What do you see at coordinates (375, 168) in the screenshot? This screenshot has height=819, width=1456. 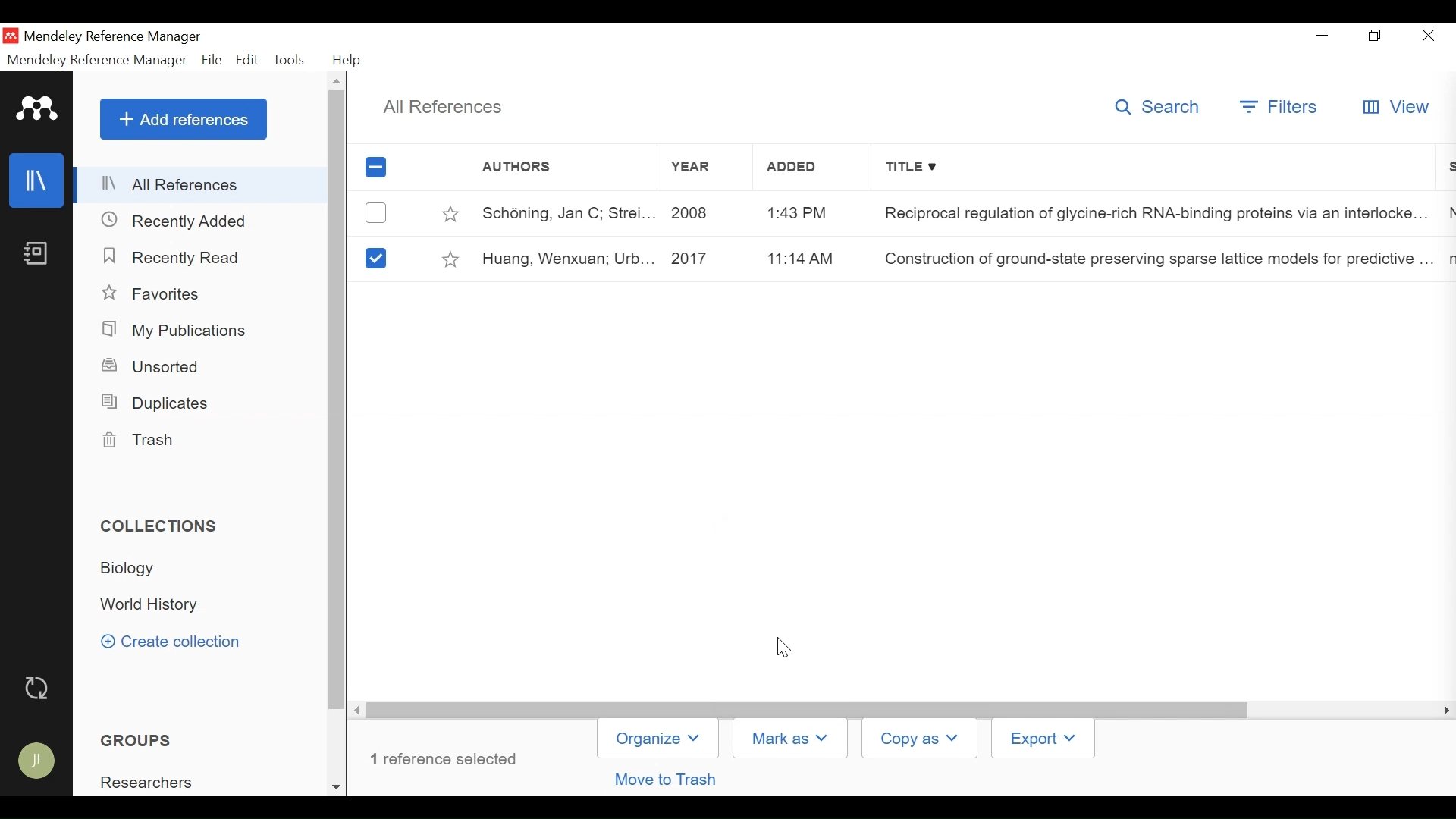 I see `(un)select` at bounding box center [375, 168].